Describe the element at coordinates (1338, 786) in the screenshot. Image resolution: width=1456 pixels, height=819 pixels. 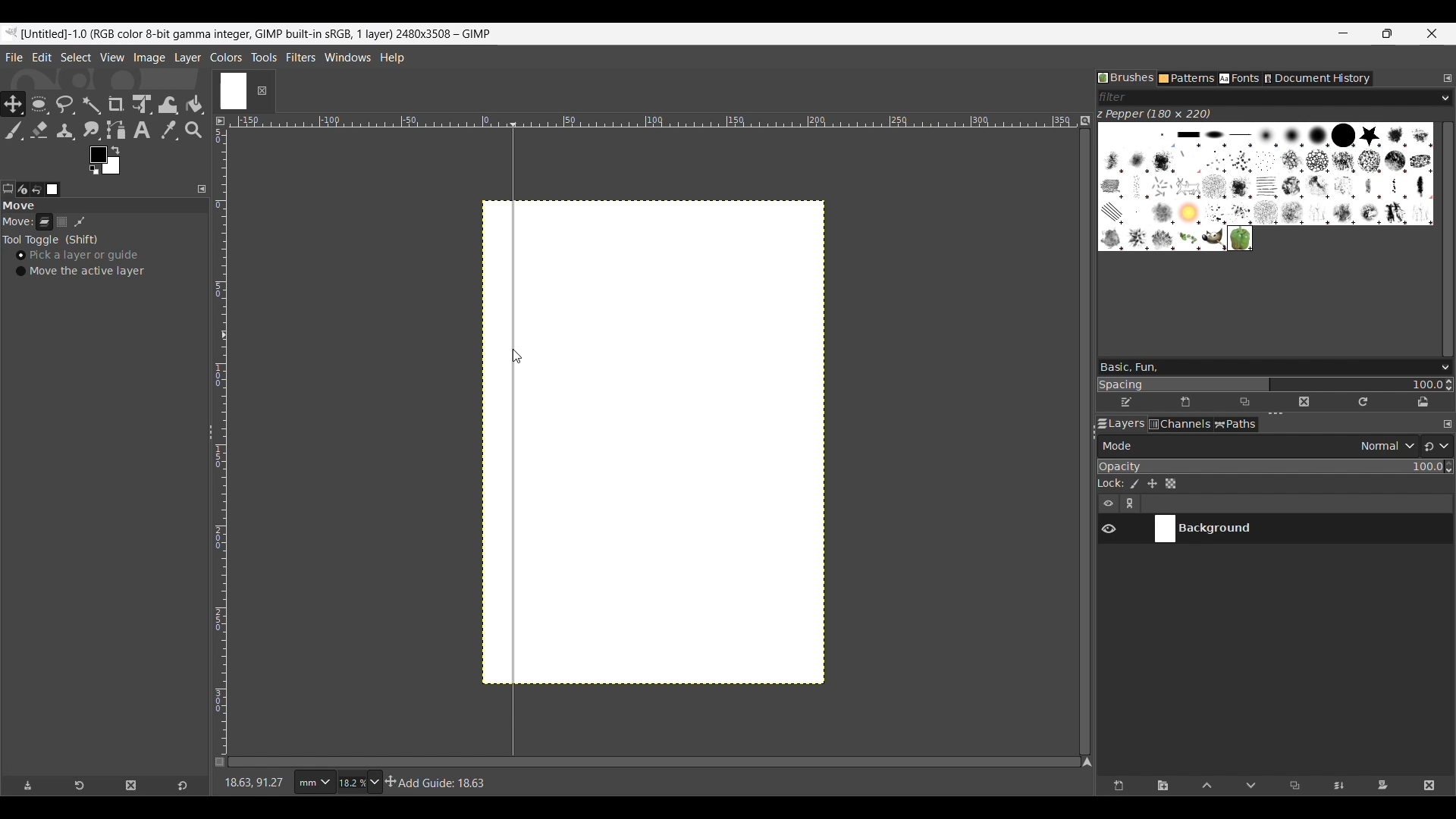
I see `Merge layer with first visible layer below it` at that location.